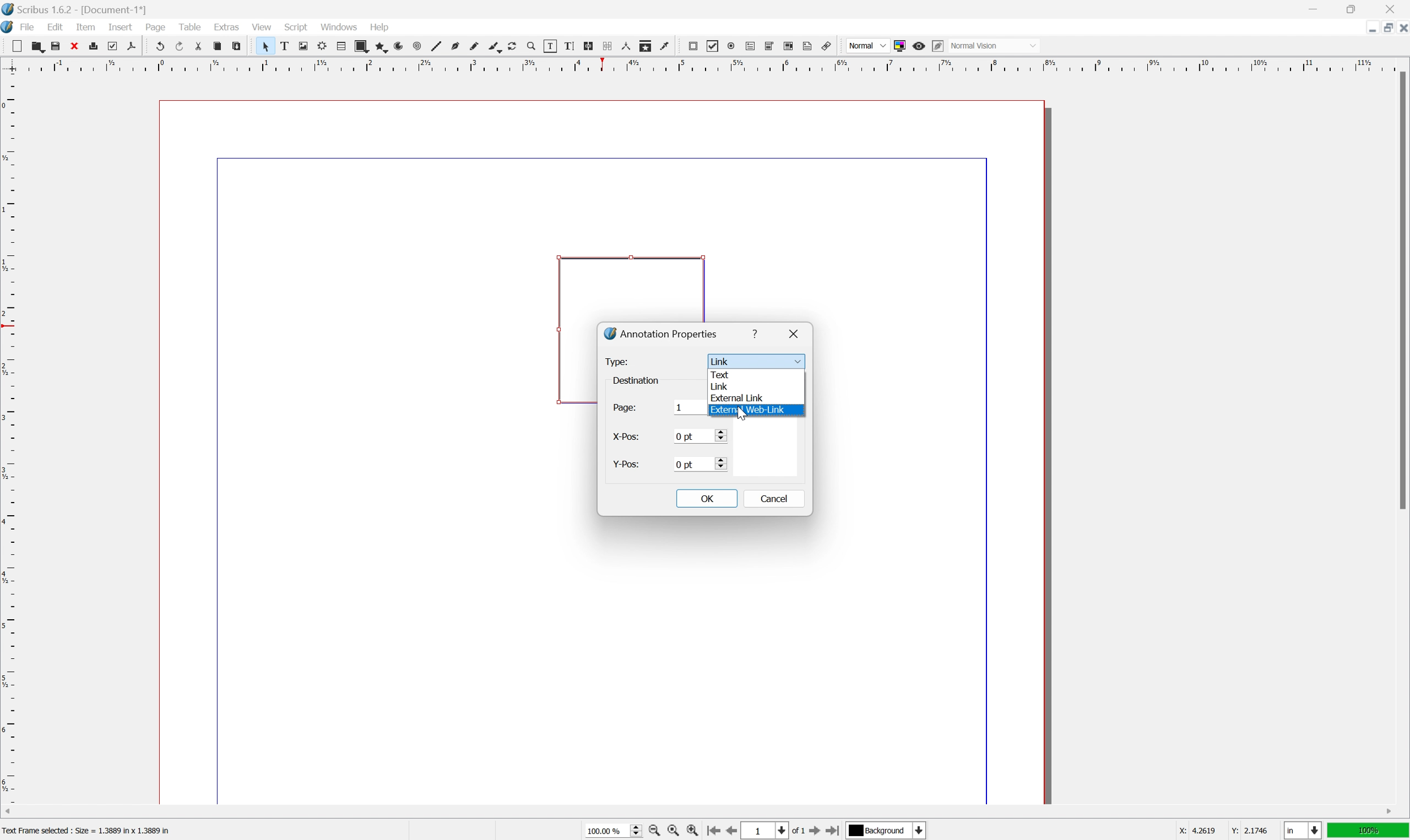 Image resolution: width=1410 pixels, height=840 pixels. What do you see at coordinates (627, 438) in the screenshot?
I see `X-pos:` at bounding box center [627, 438].